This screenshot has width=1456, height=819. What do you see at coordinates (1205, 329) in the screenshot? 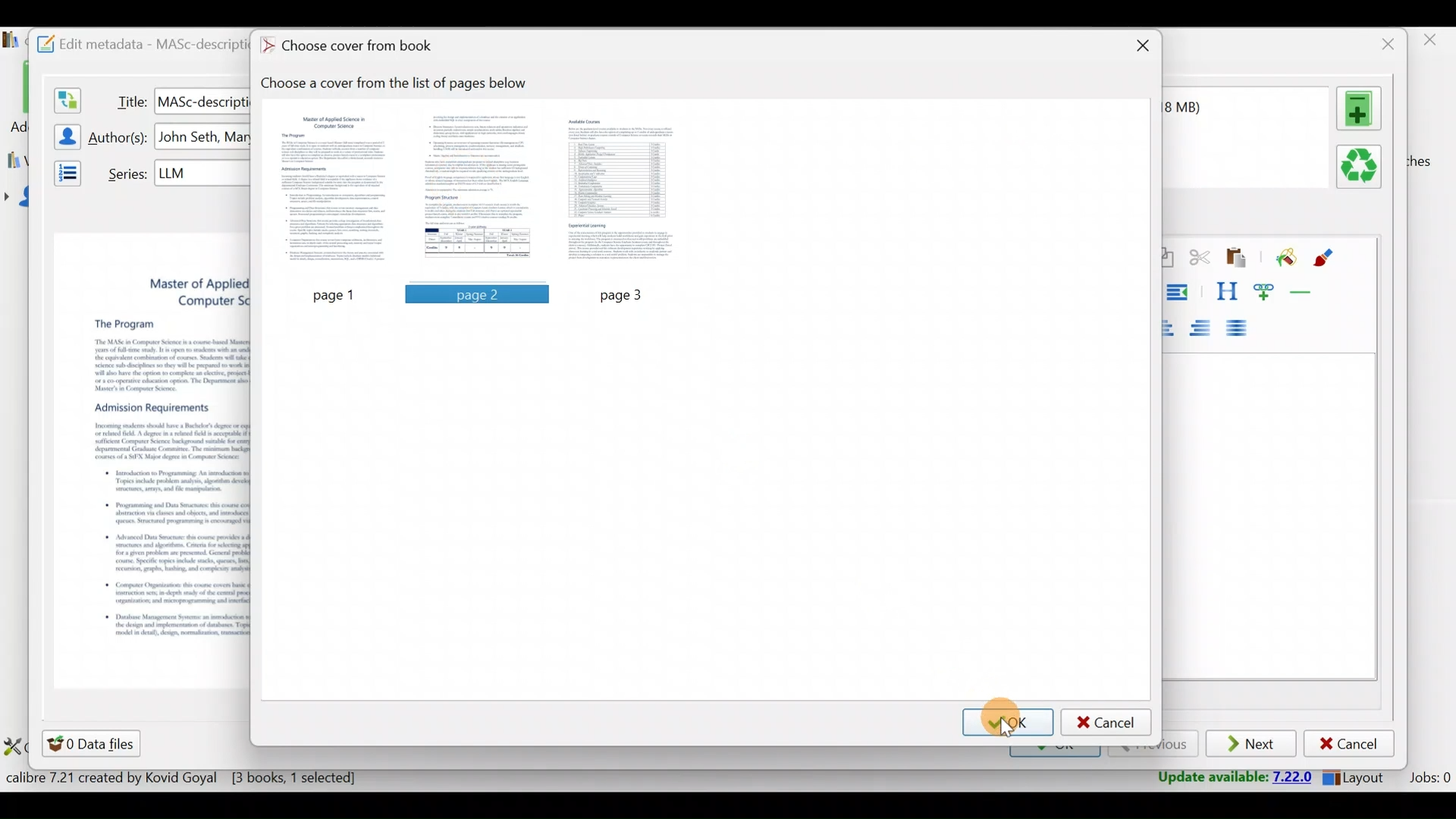
I see `Align right` at bounding box center [1205, 329].